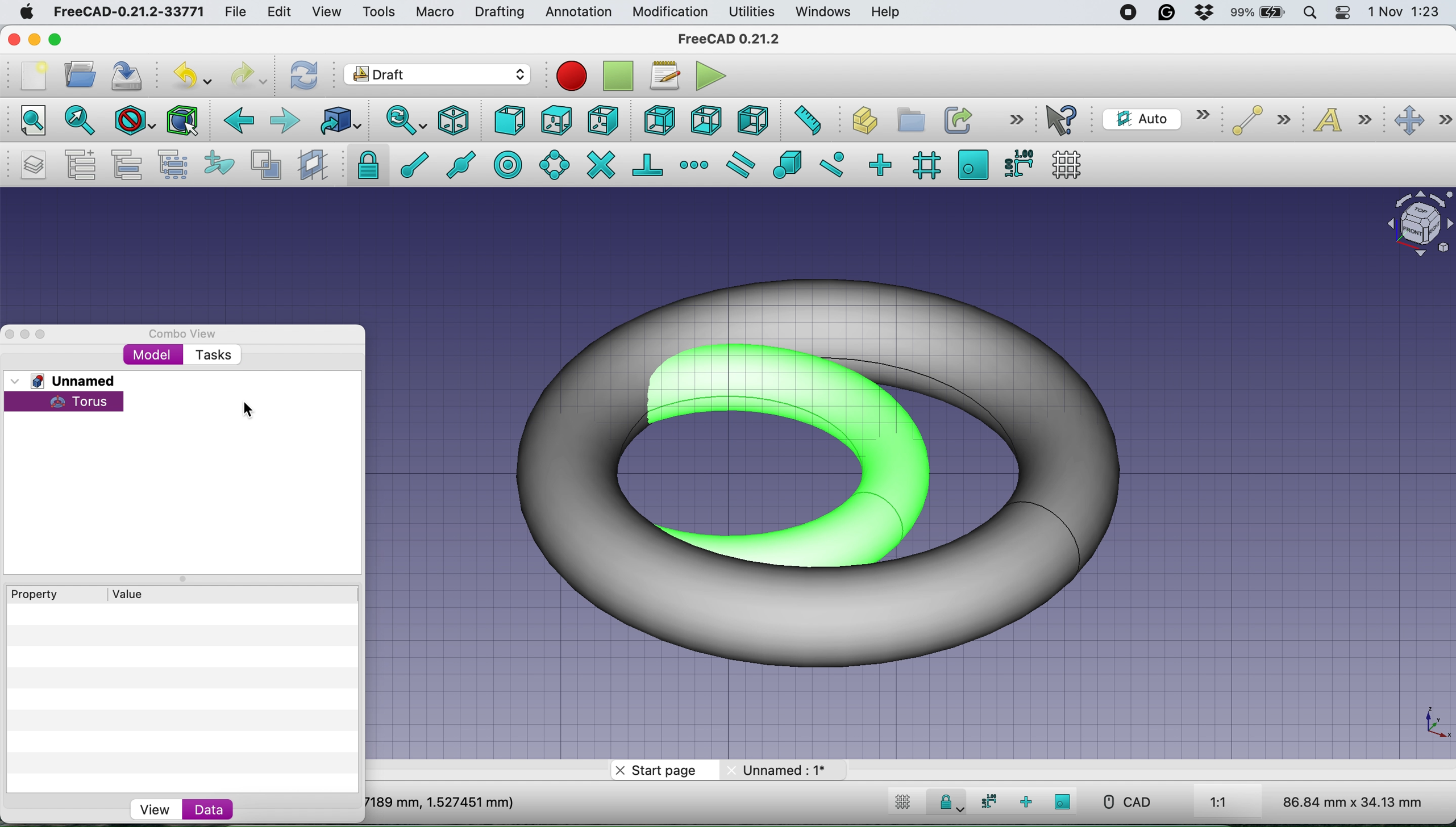  What do you see at coordinates (131, 165) in the screenshot?
I see `move to group` at bounding box center [131, 165].